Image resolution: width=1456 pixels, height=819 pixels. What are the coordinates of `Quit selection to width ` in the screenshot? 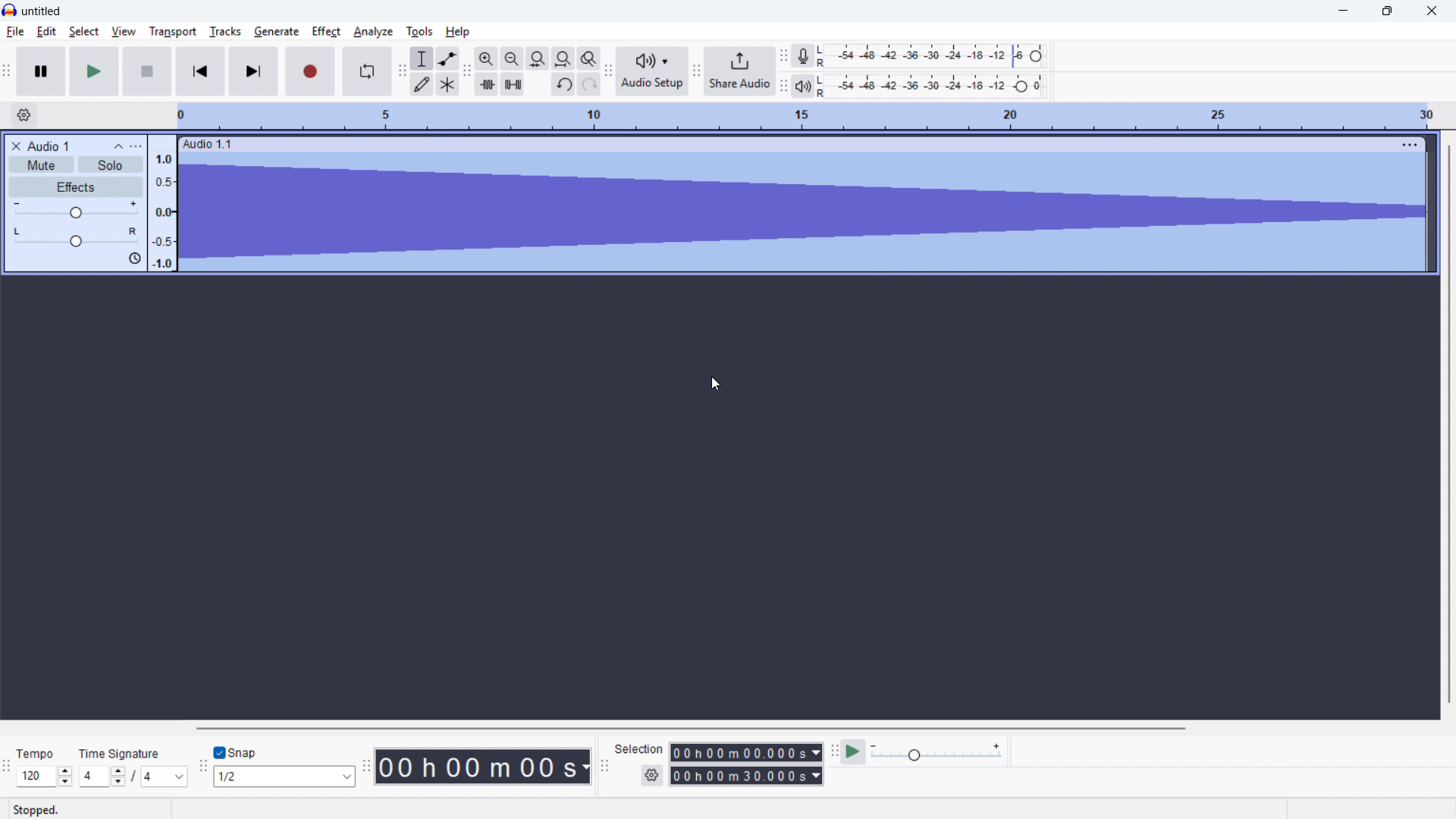 It's located at (538, 59).